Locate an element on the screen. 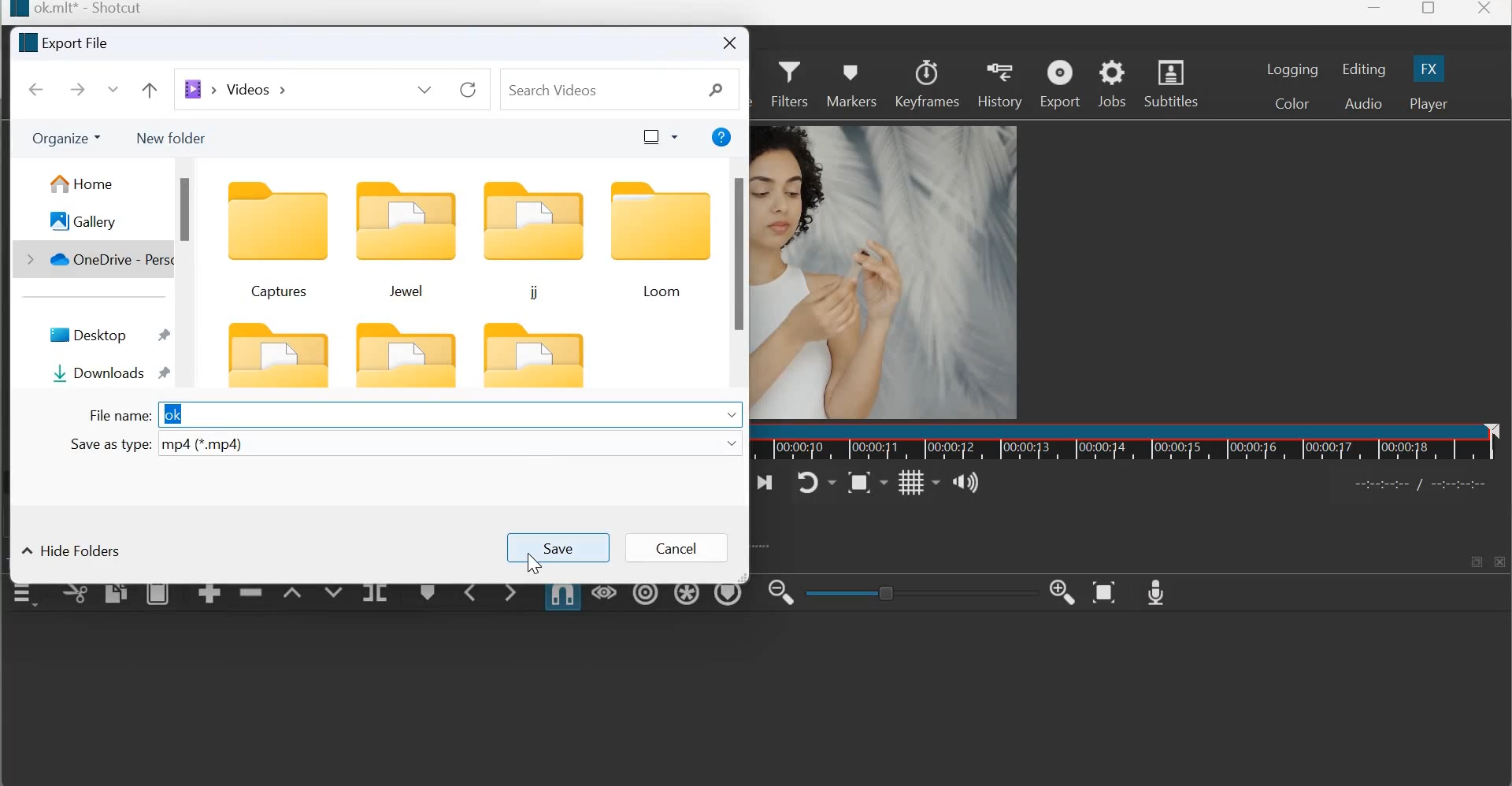  Organise is located at coordinates (68, 136).